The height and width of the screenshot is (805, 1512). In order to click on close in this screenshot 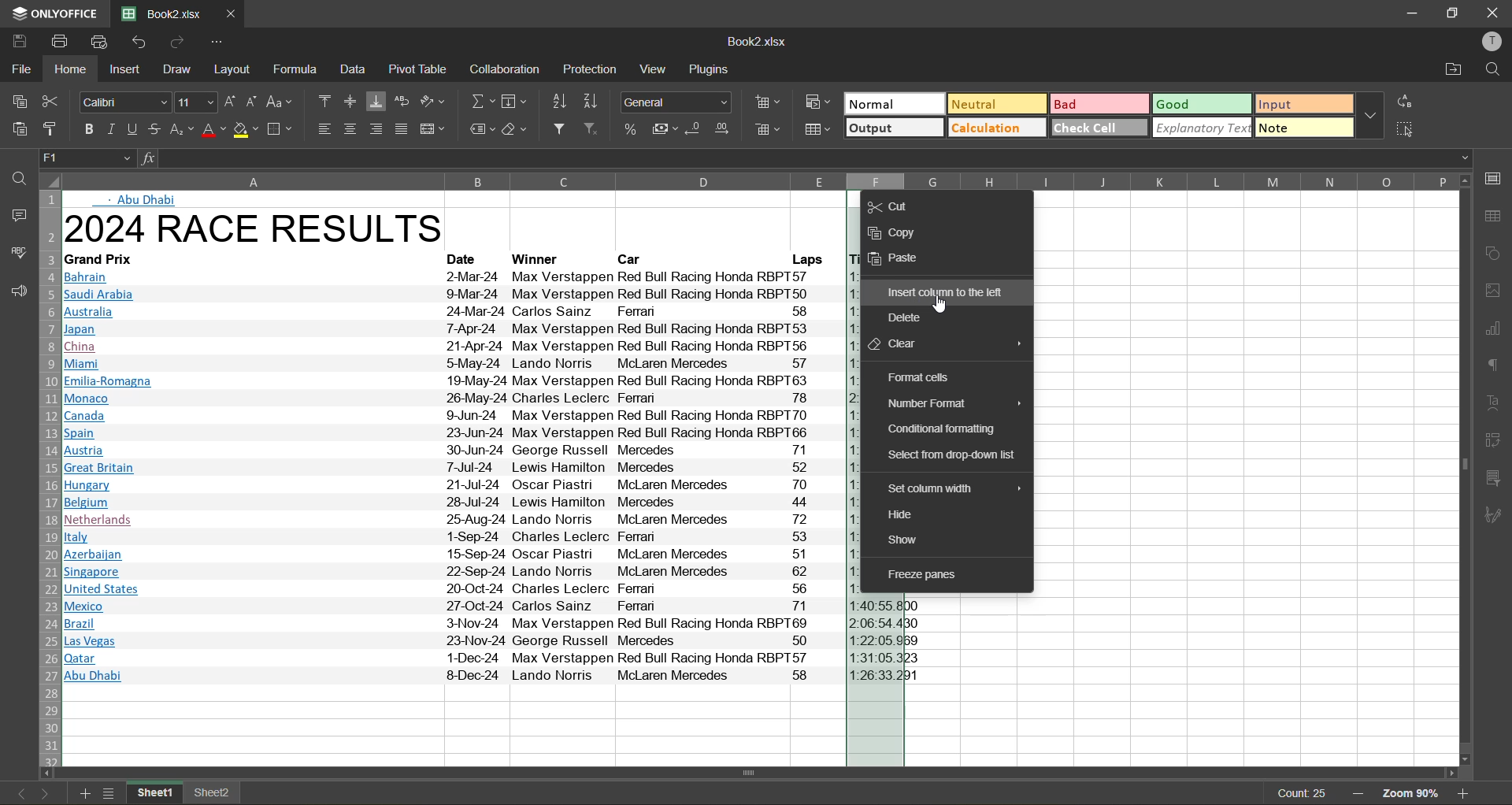, I will do `click(1492, 12)`.